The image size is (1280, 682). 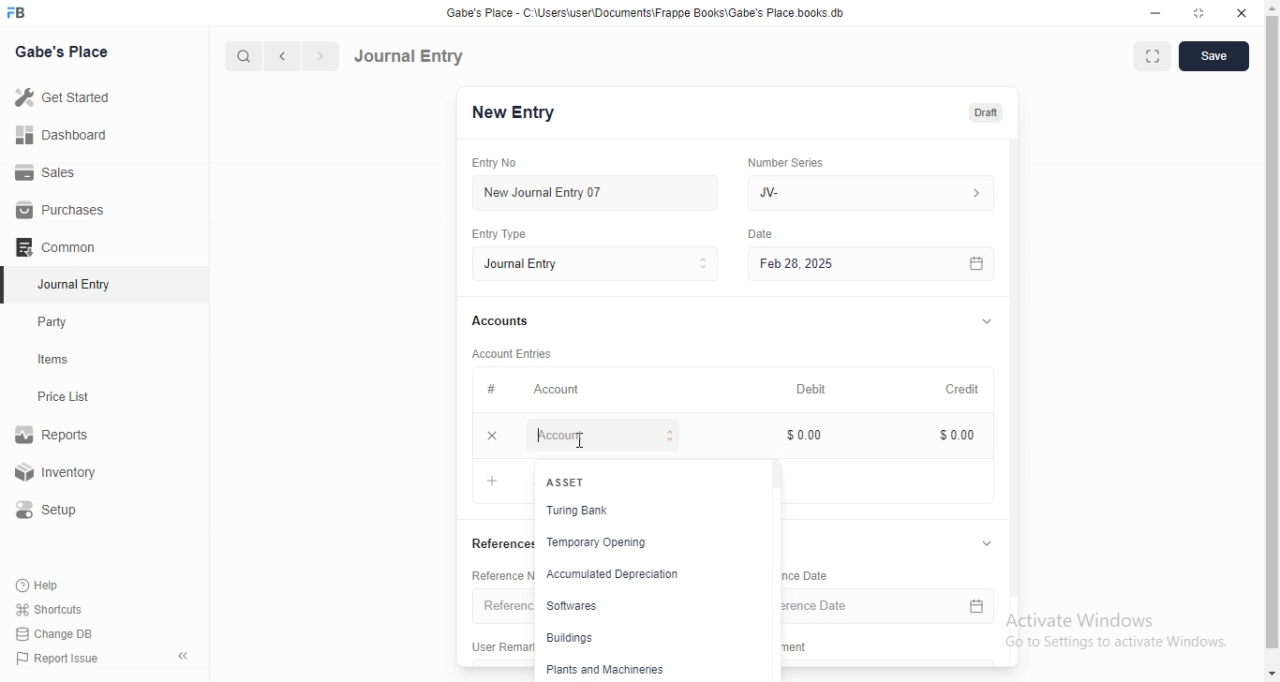 What do you see at coordinates (62, 397) in the screenshot?
I see `Price List` at bounding box center [62, 397].